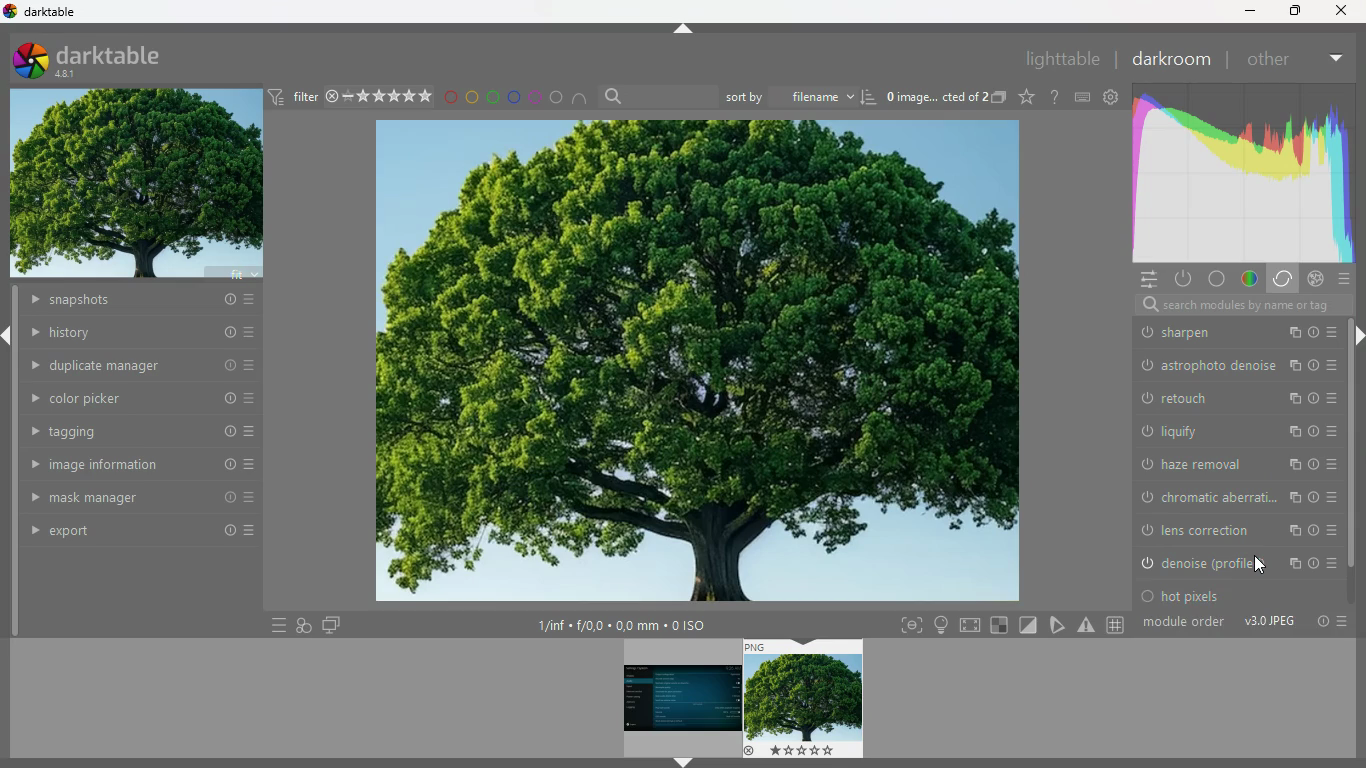 Image resolution: width=1366 pixels, height=768 pixels. What do you see at coordinates (139, 300) in the screenshot?
I see `snapshots` at bounding box center [139, 300].